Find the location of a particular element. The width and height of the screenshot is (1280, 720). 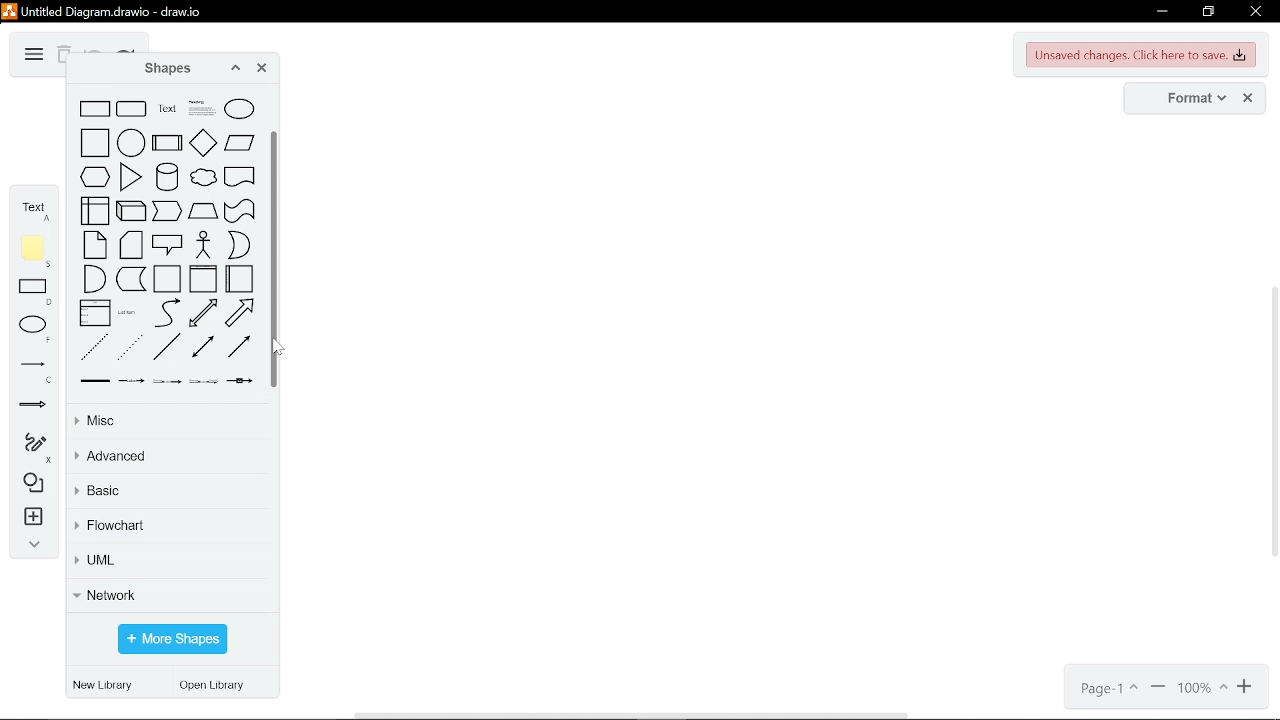

cylinder is located at coordinates (167, 176).